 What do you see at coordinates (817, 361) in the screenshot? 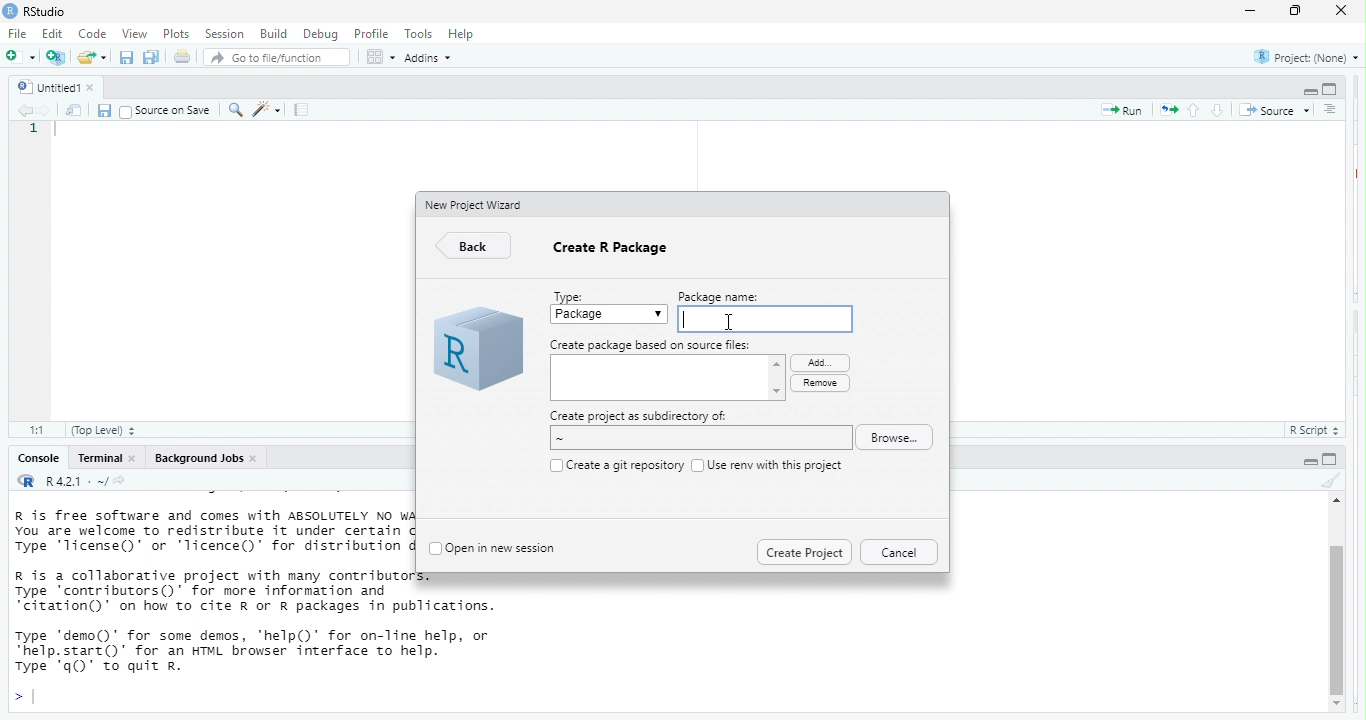
I see ` Add.` at bounding box center [817, 361].